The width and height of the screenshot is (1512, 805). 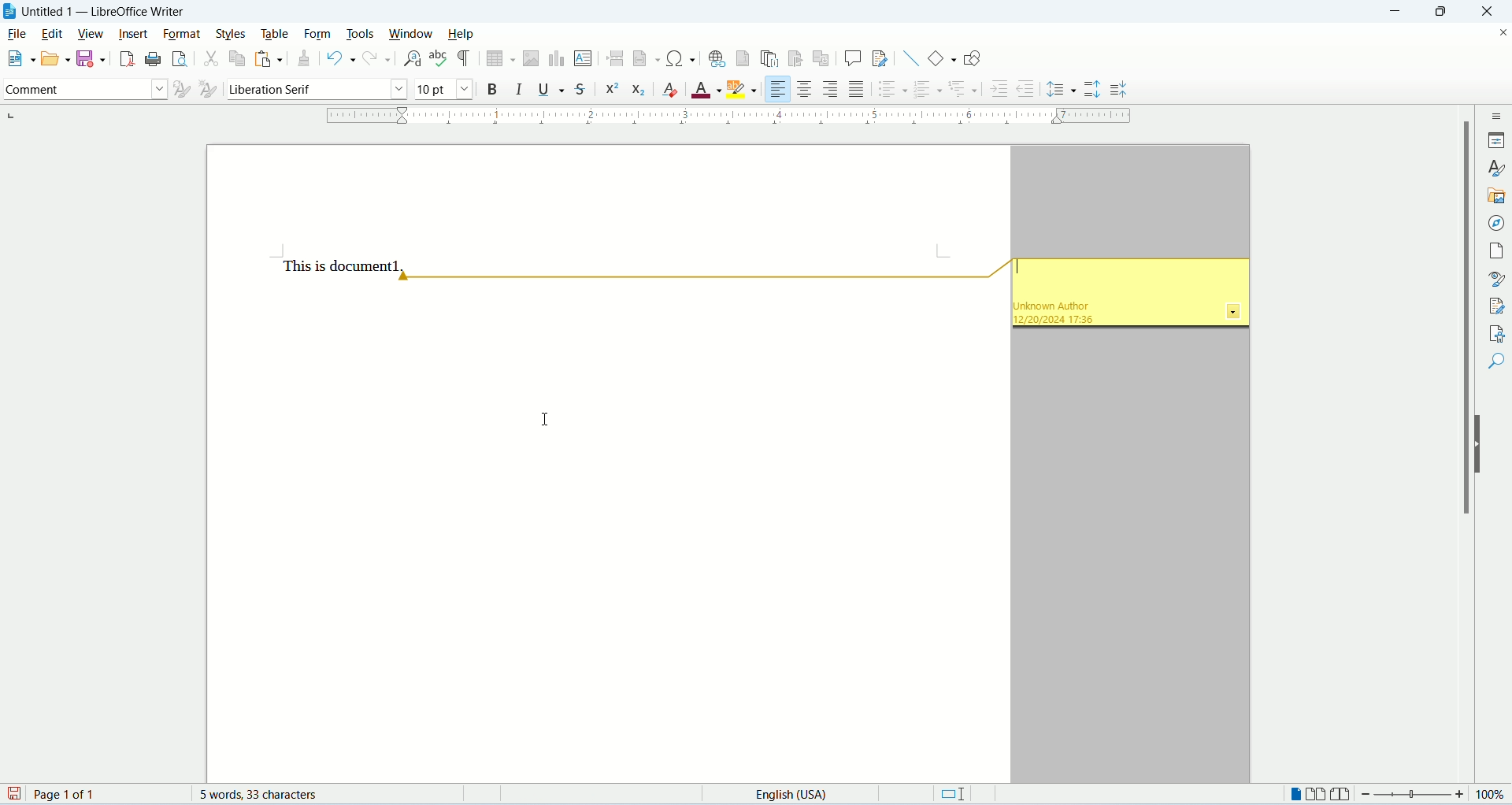 What do you see at coordinates (105, 794) in the screenshot?
I see `page 1 of 1` at bounding box center [105, 794].